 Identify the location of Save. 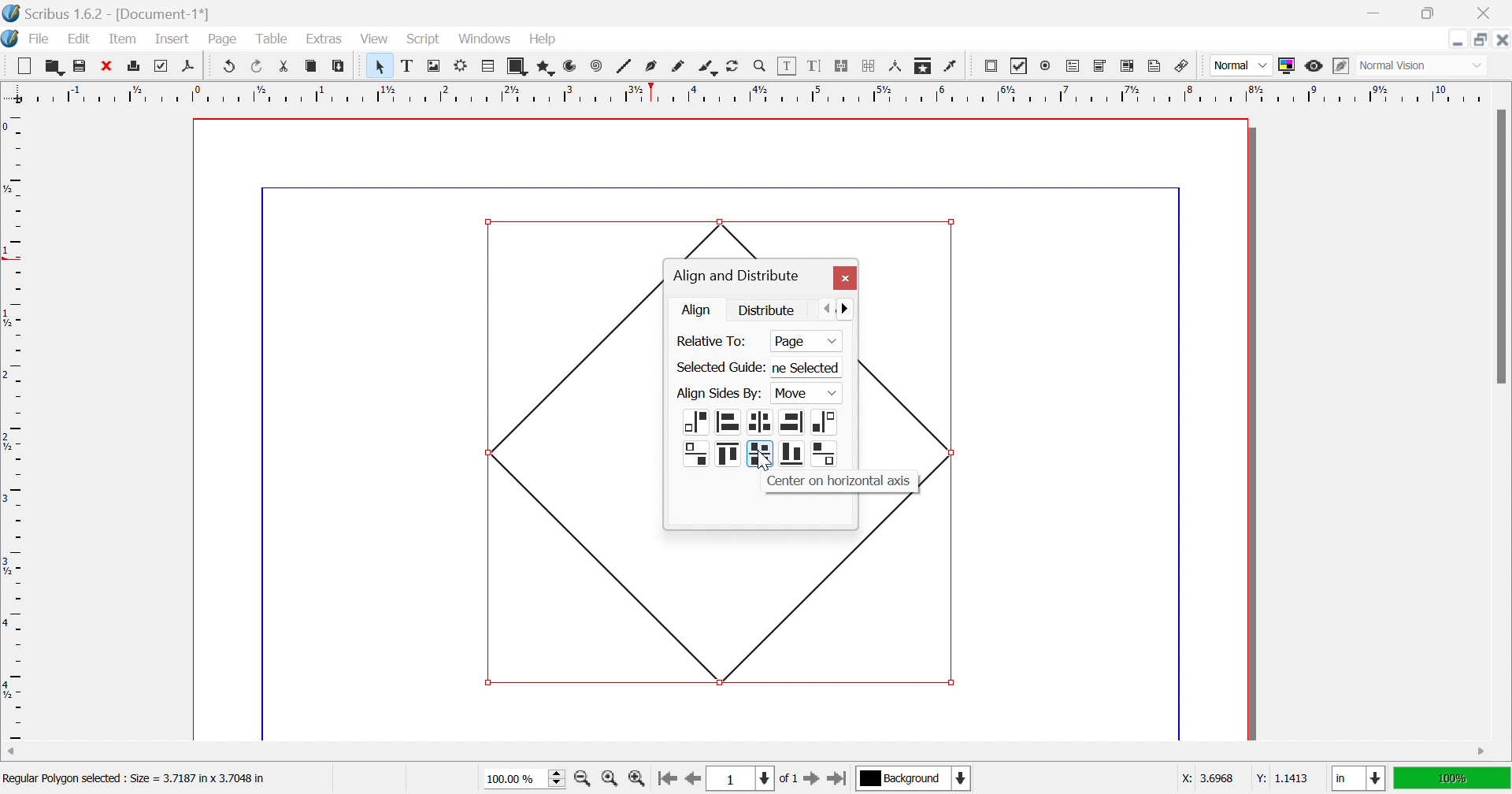
(76, 64).